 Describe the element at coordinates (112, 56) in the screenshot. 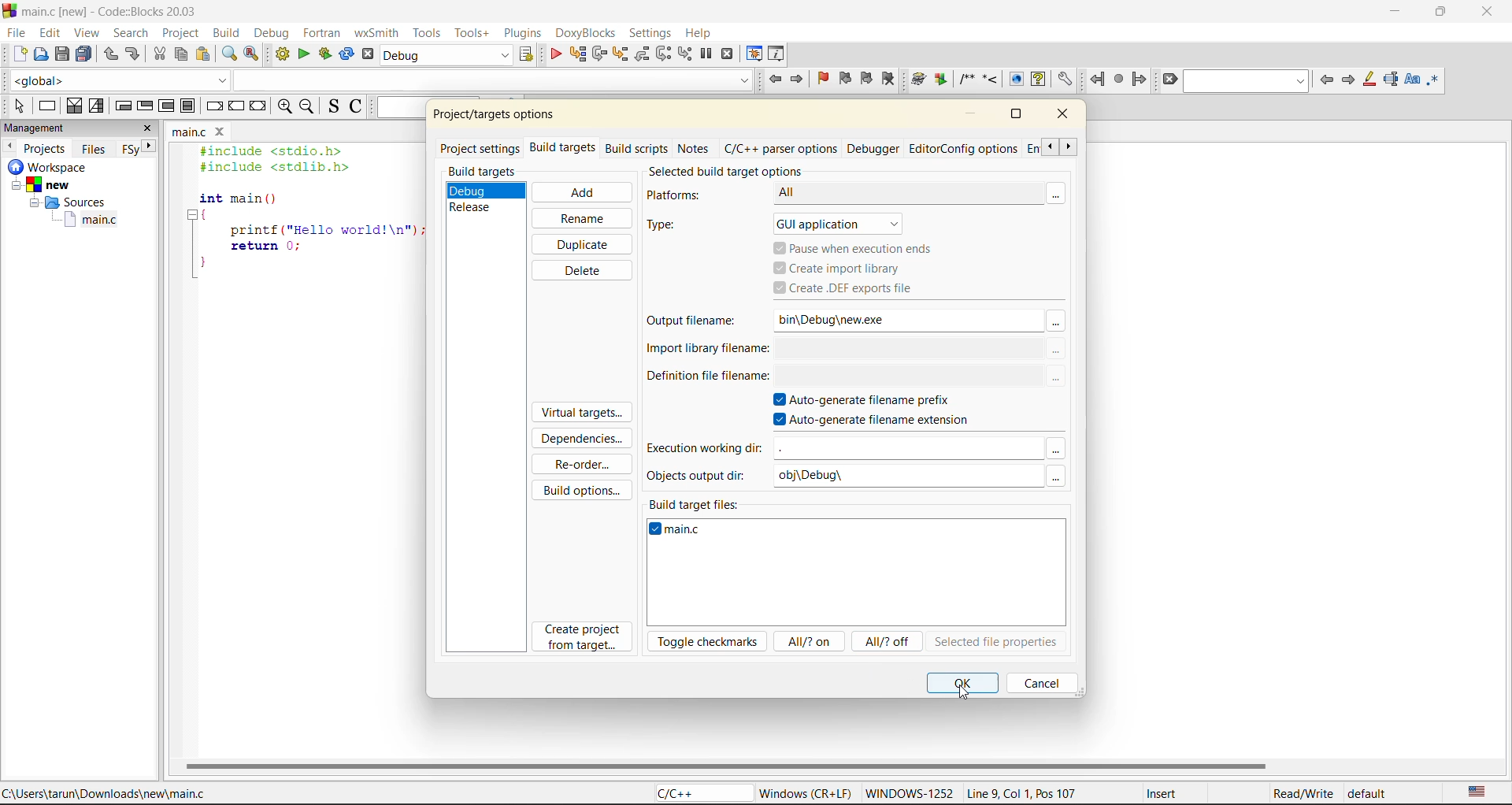

I see `undo` at that location.